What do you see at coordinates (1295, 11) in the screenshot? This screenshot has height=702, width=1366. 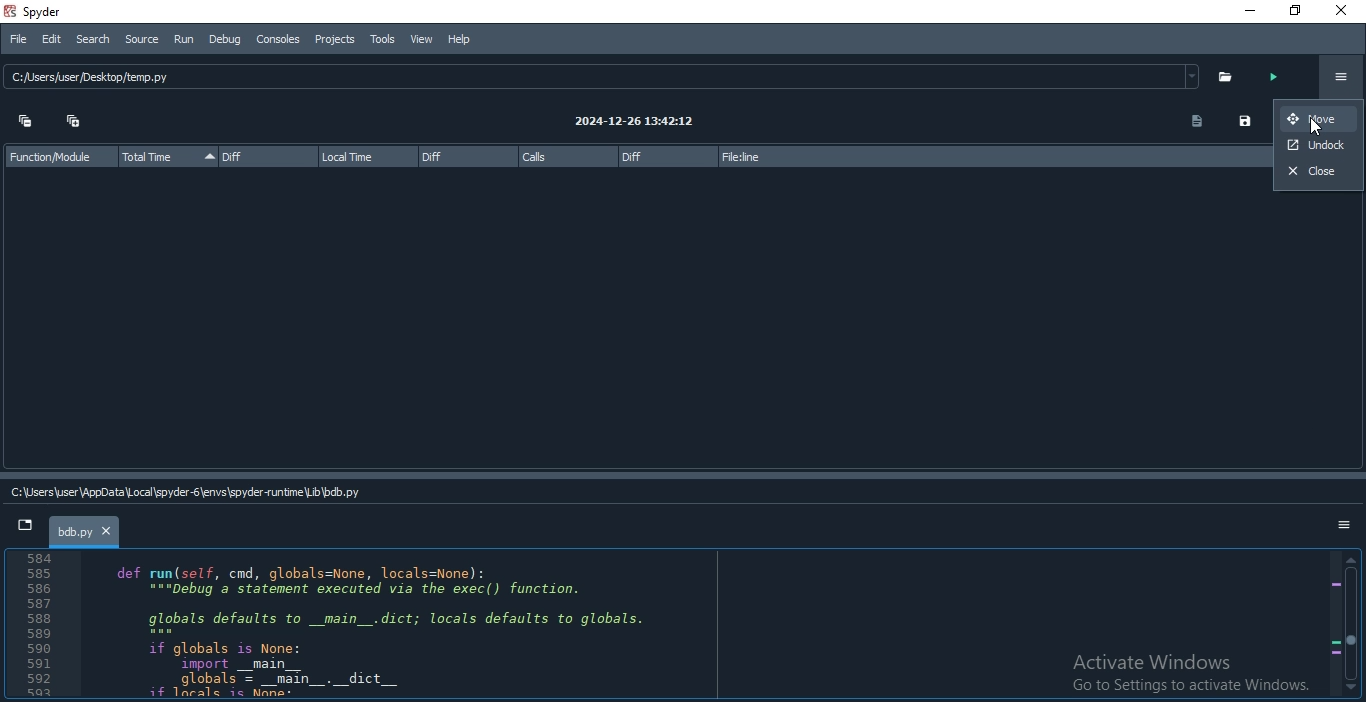 I see `Restore` at bounding box center [1295, 11].